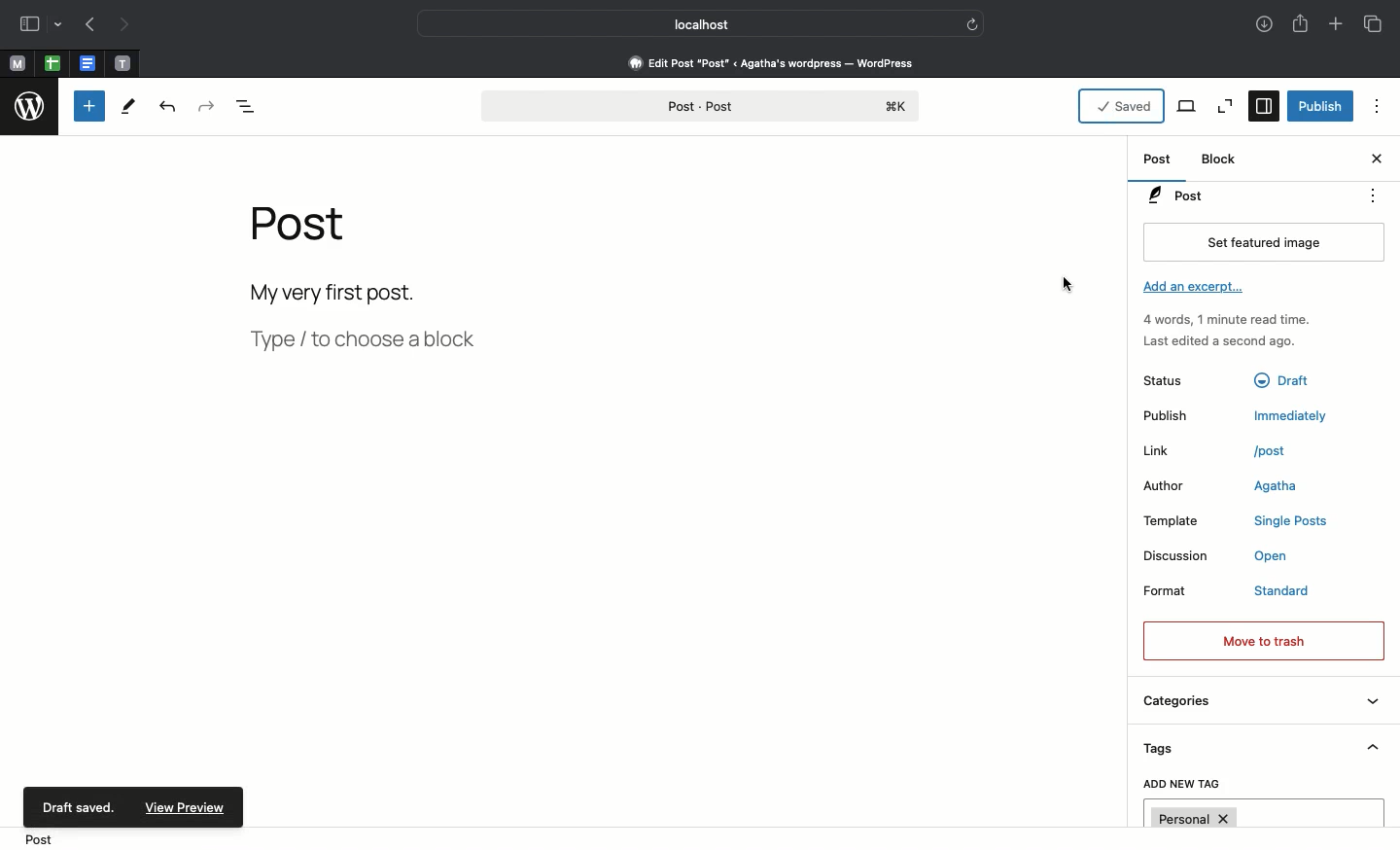  Describe the element at coordinates (1259, 705) in the screenshot. I see `Categories` at that location.